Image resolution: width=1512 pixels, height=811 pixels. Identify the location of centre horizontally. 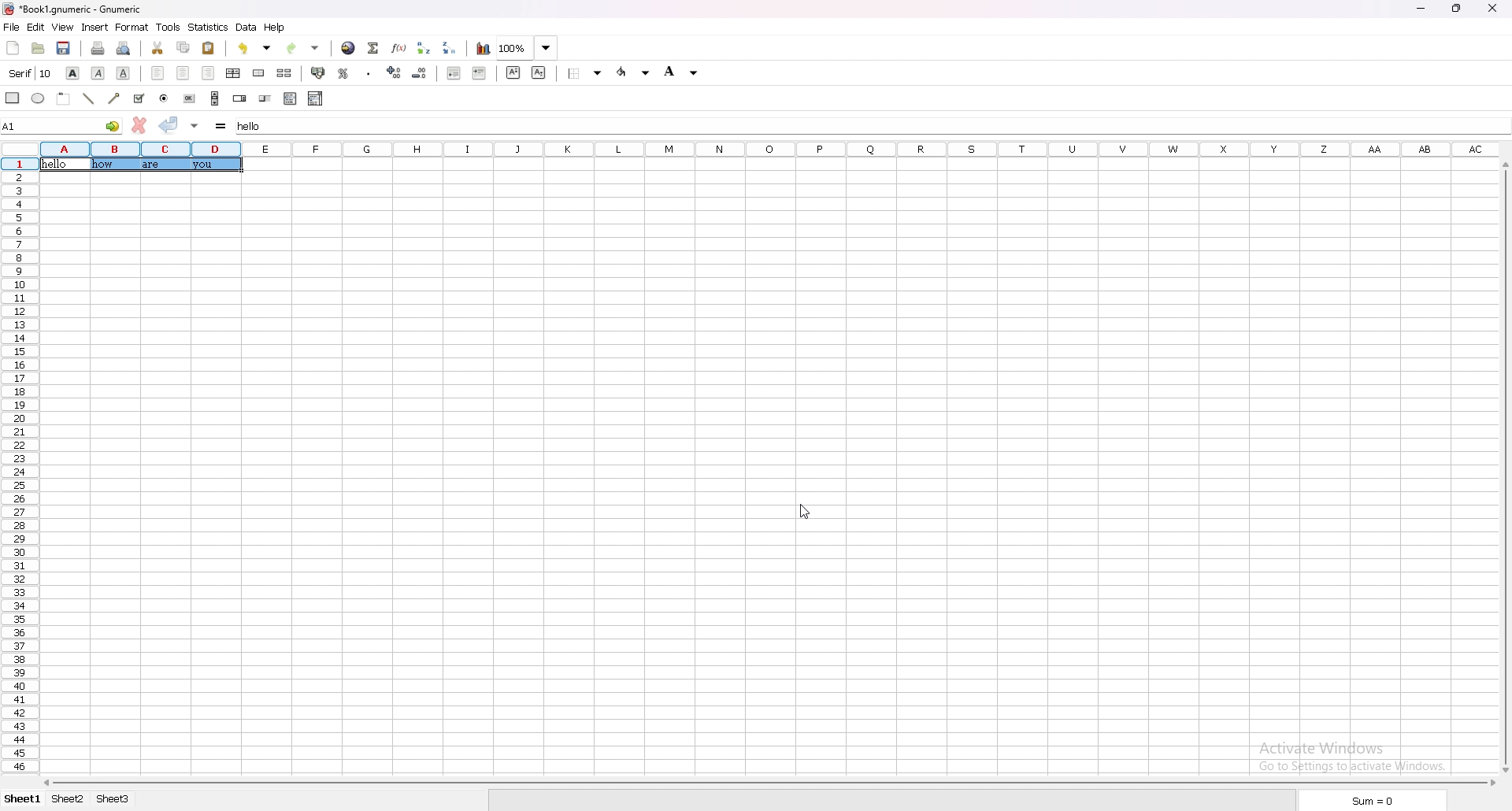
(235, 72).